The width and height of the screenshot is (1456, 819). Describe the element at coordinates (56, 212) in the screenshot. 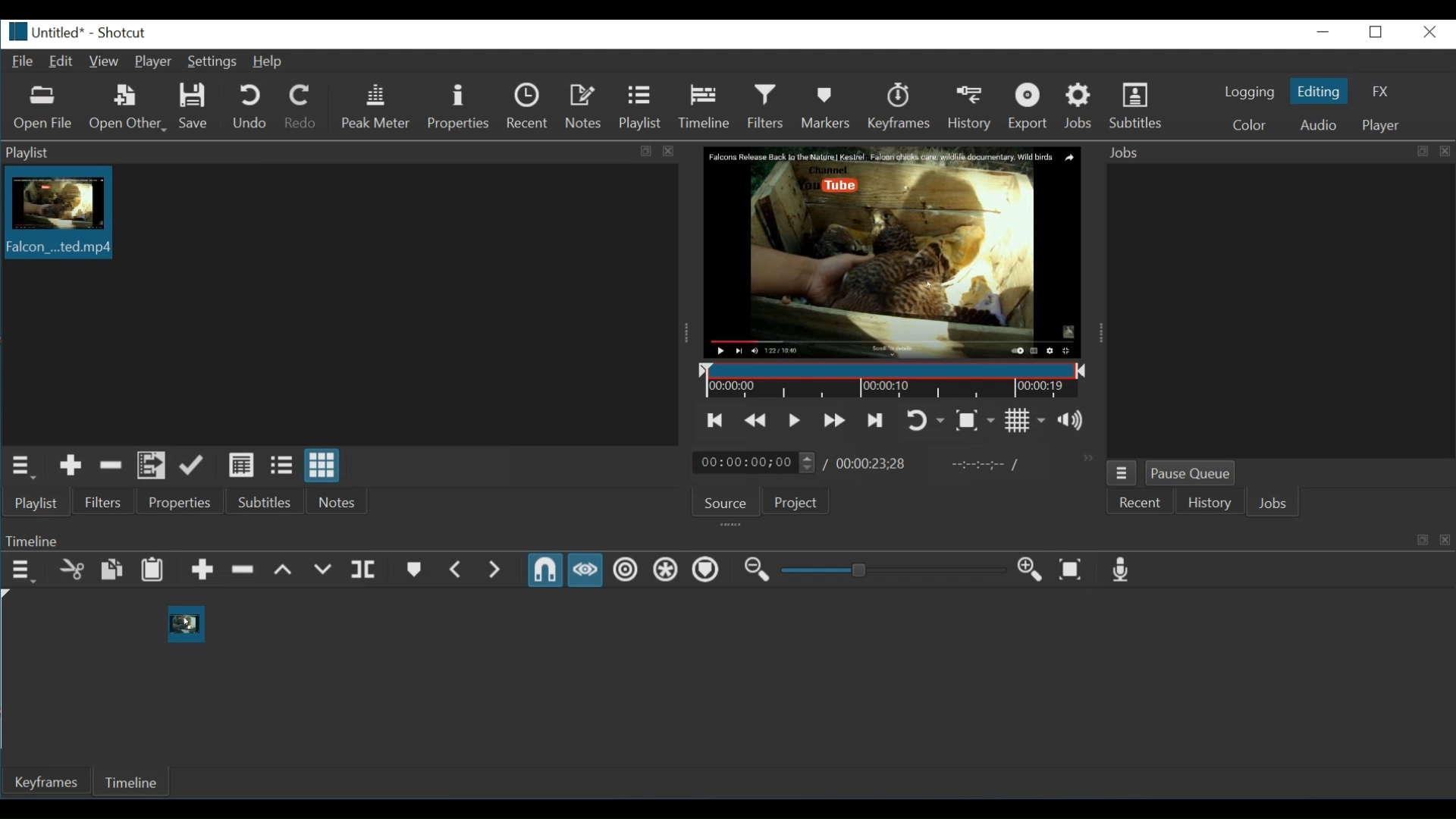

I see `Clip thumbnail` at that location.